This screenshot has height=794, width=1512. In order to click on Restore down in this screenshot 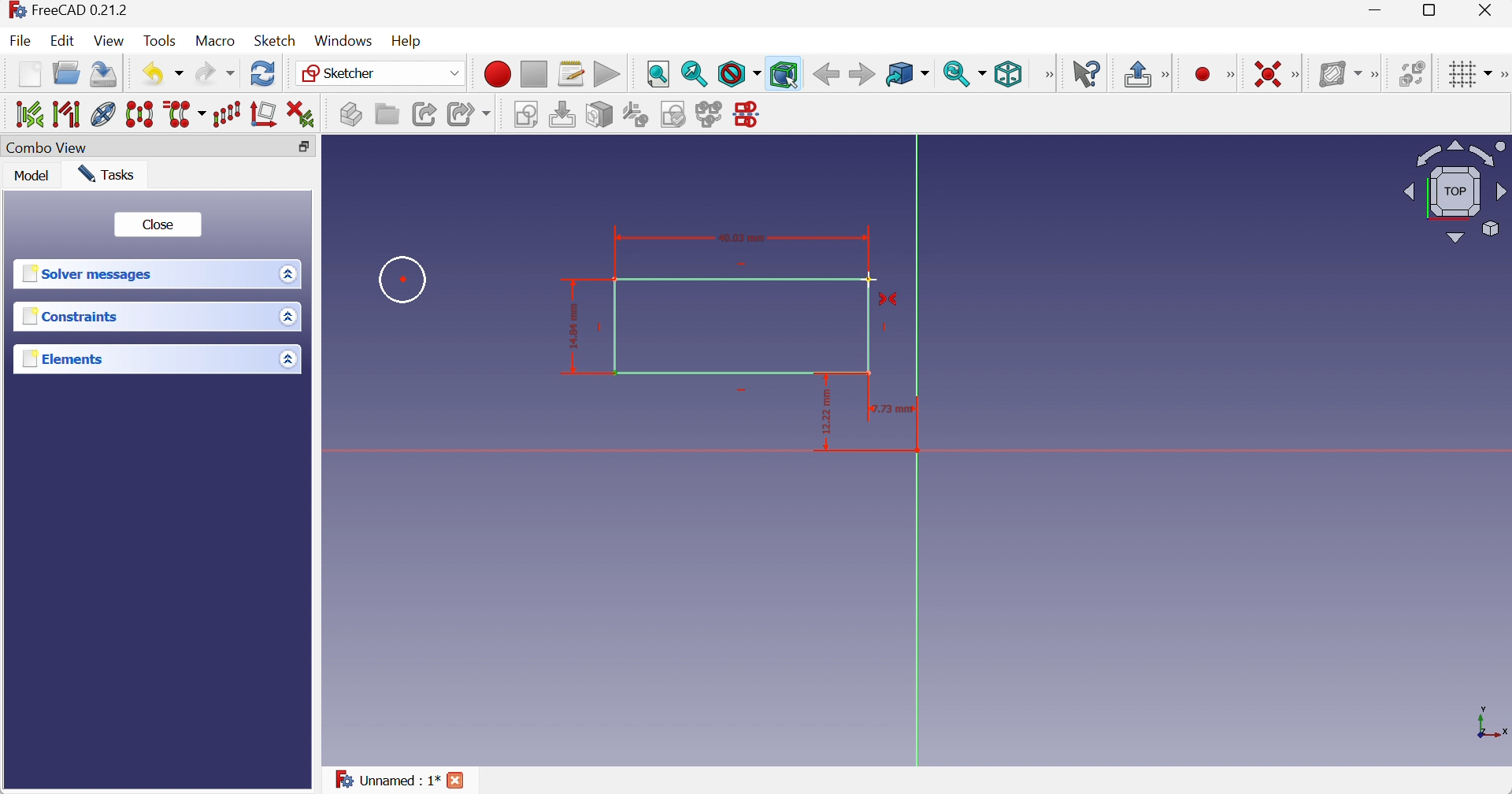, I will do `click(1435, 11)`.